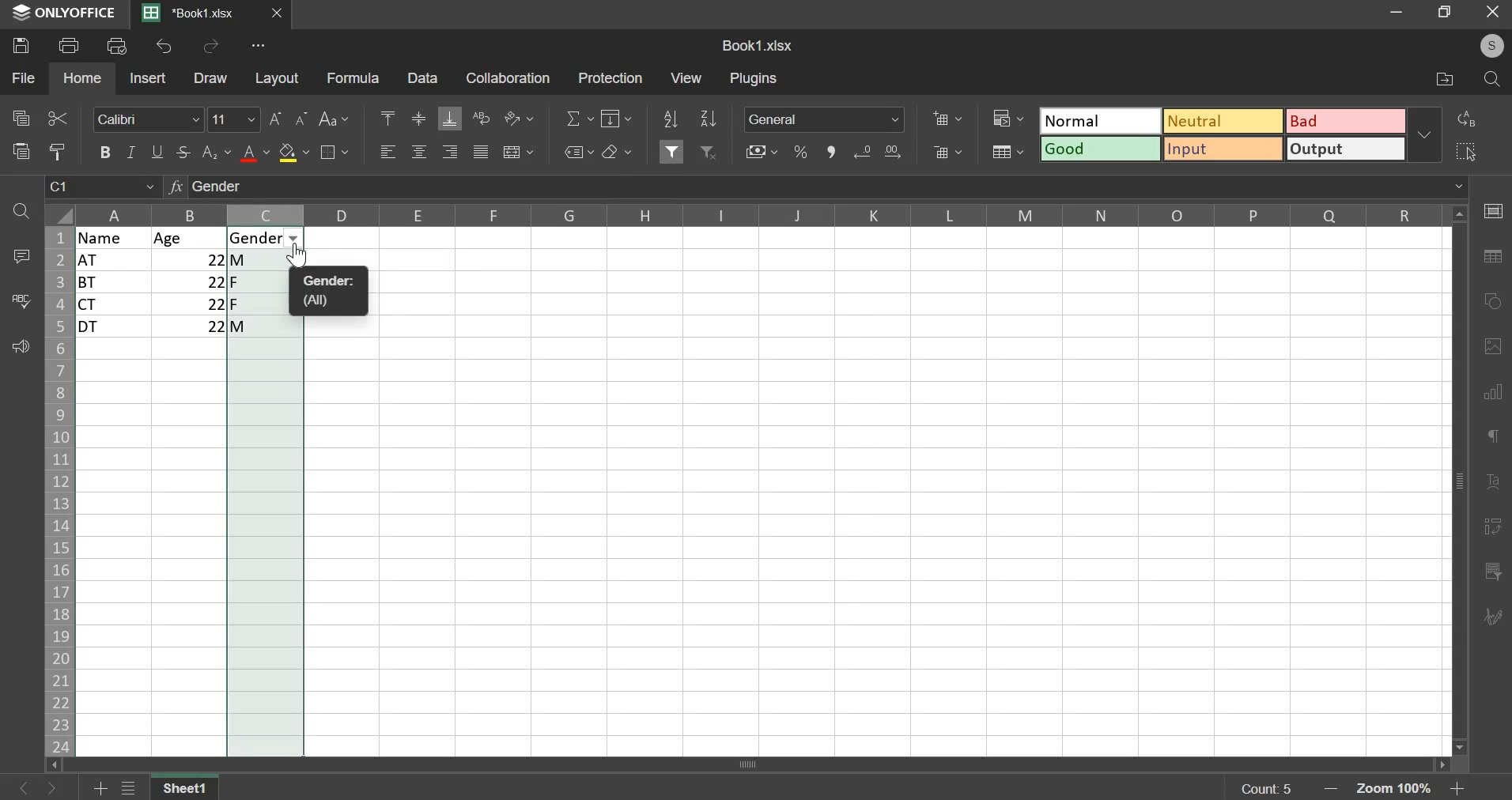 Image resolution: width=1512 pixels, height=800 pixels. Describe the element at coordinates (1469, 148) in the screenshot. I see `select all` at that location.